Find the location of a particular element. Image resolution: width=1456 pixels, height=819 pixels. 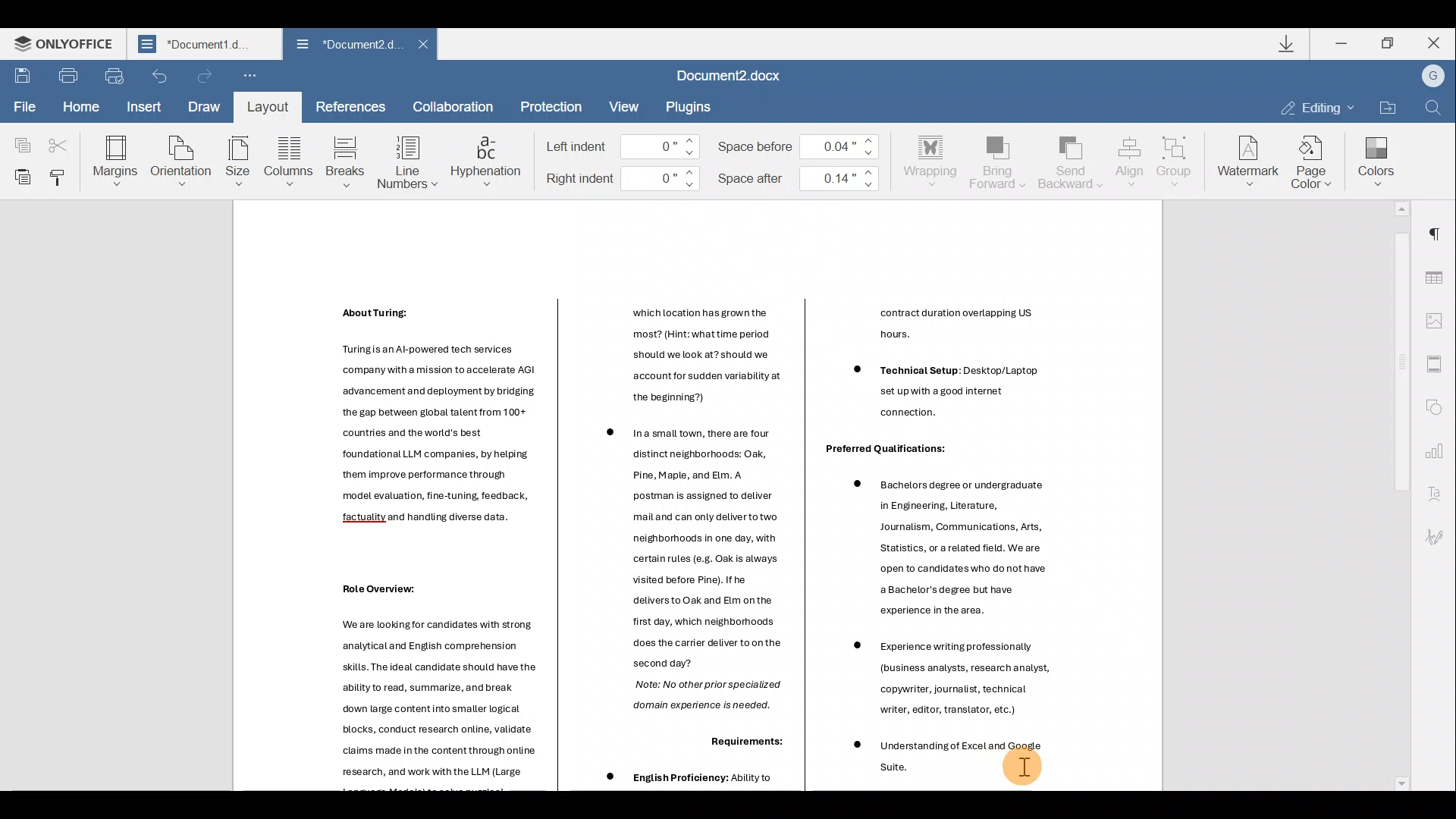

Copy is located at coordinates (19, 138).